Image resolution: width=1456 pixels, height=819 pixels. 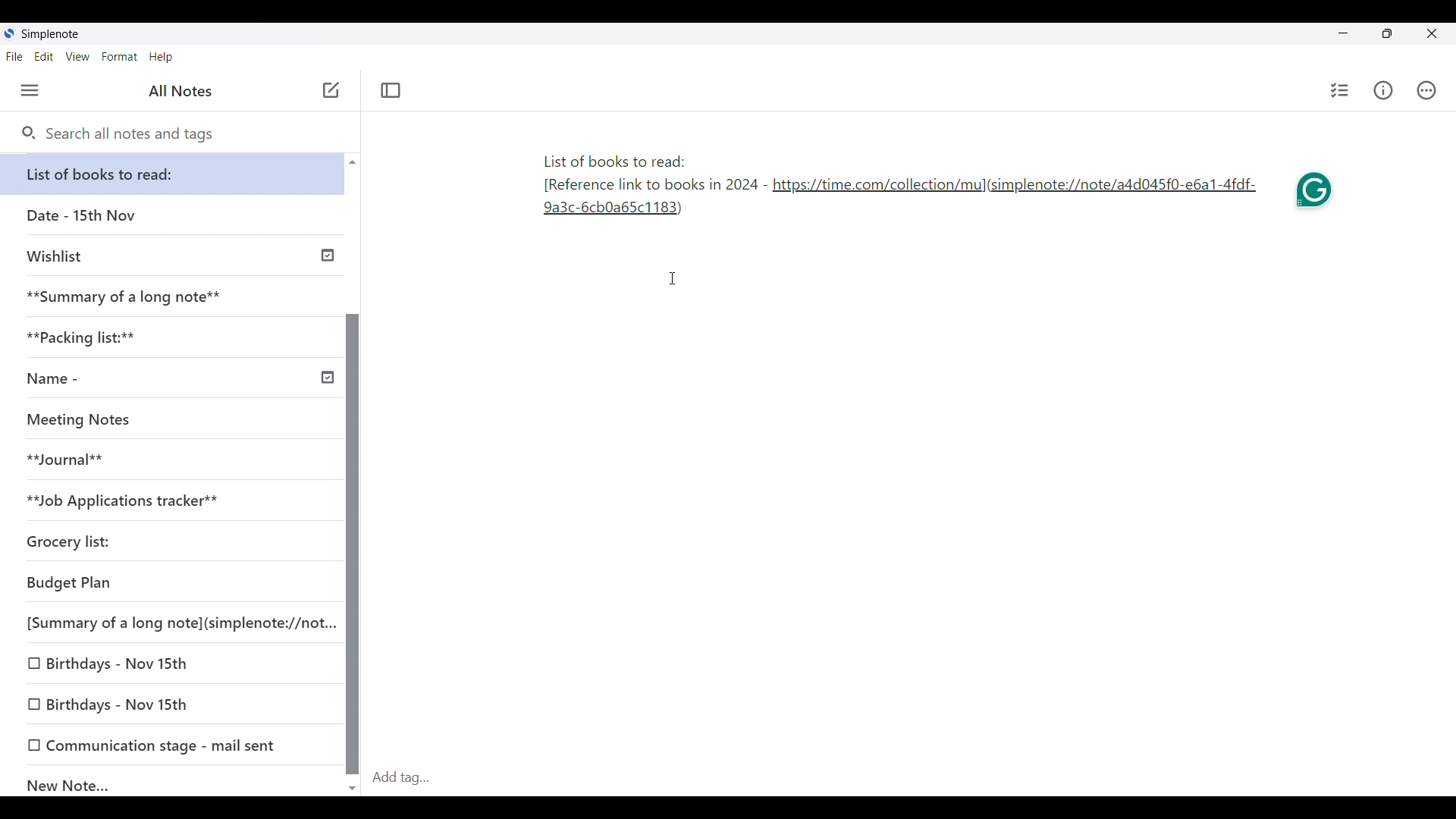 What do you see at coordinates (174, 337) in the screenshot?
I see `**Packing list:**` at bounding box center [174, 337].